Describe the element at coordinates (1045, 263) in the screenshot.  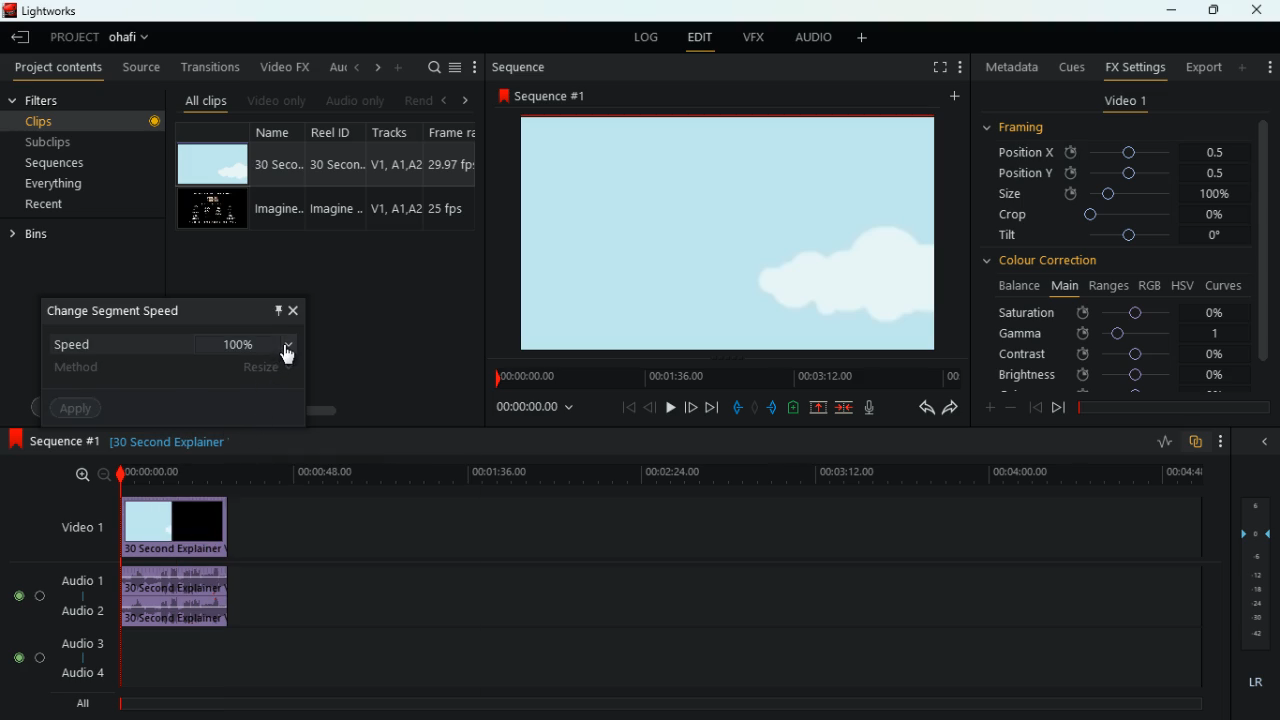
I see `colour correction` at that location.